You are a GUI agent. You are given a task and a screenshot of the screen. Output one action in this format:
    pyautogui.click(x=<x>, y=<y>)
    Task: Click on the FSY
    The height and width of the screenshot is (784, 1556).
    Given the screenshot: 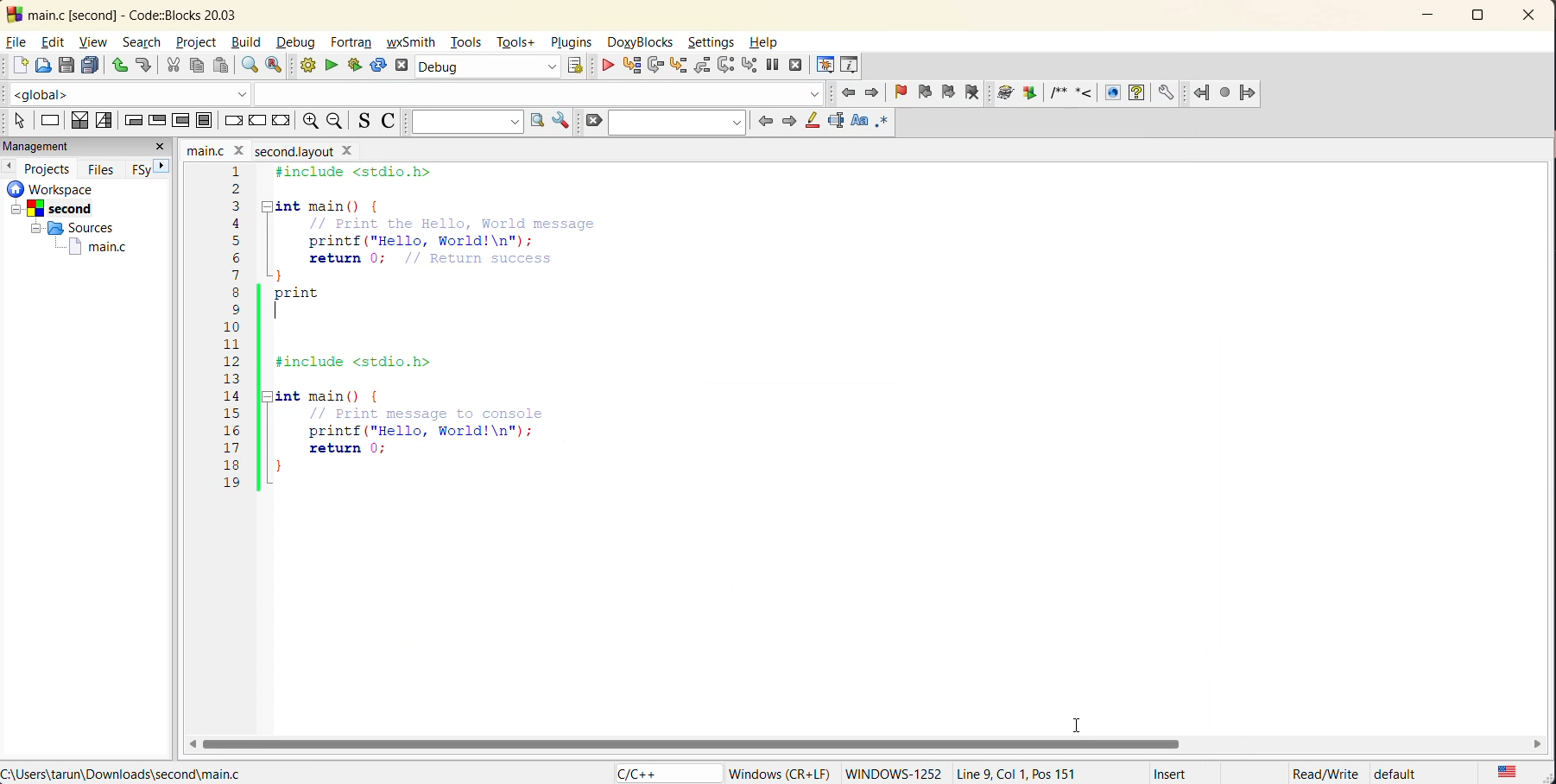 What is the action you would take?
    pyautogui.click(x=140, y=169)
    